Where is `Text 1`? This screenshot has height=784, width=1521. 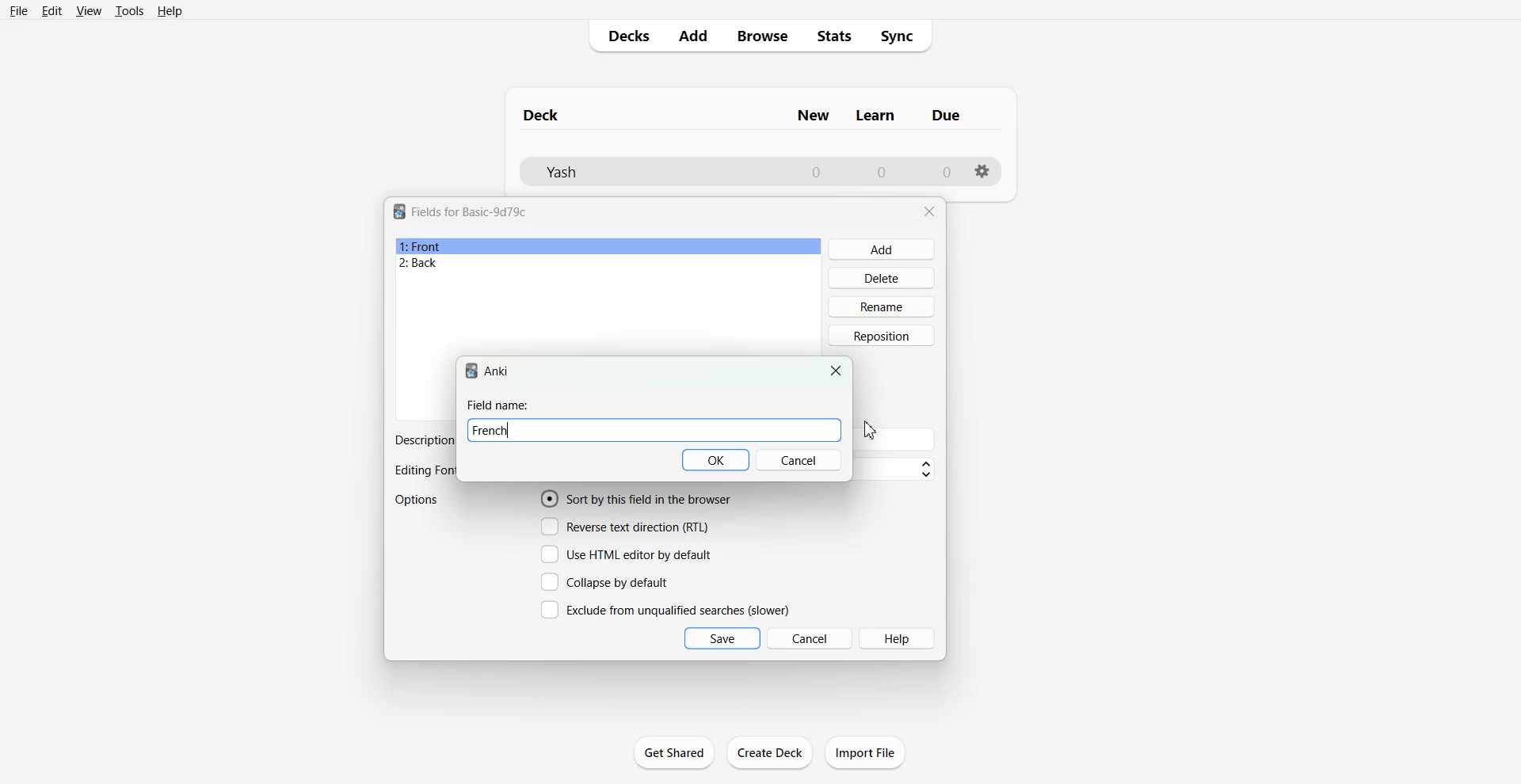 Text 1 is located at coordinates (542, 115).